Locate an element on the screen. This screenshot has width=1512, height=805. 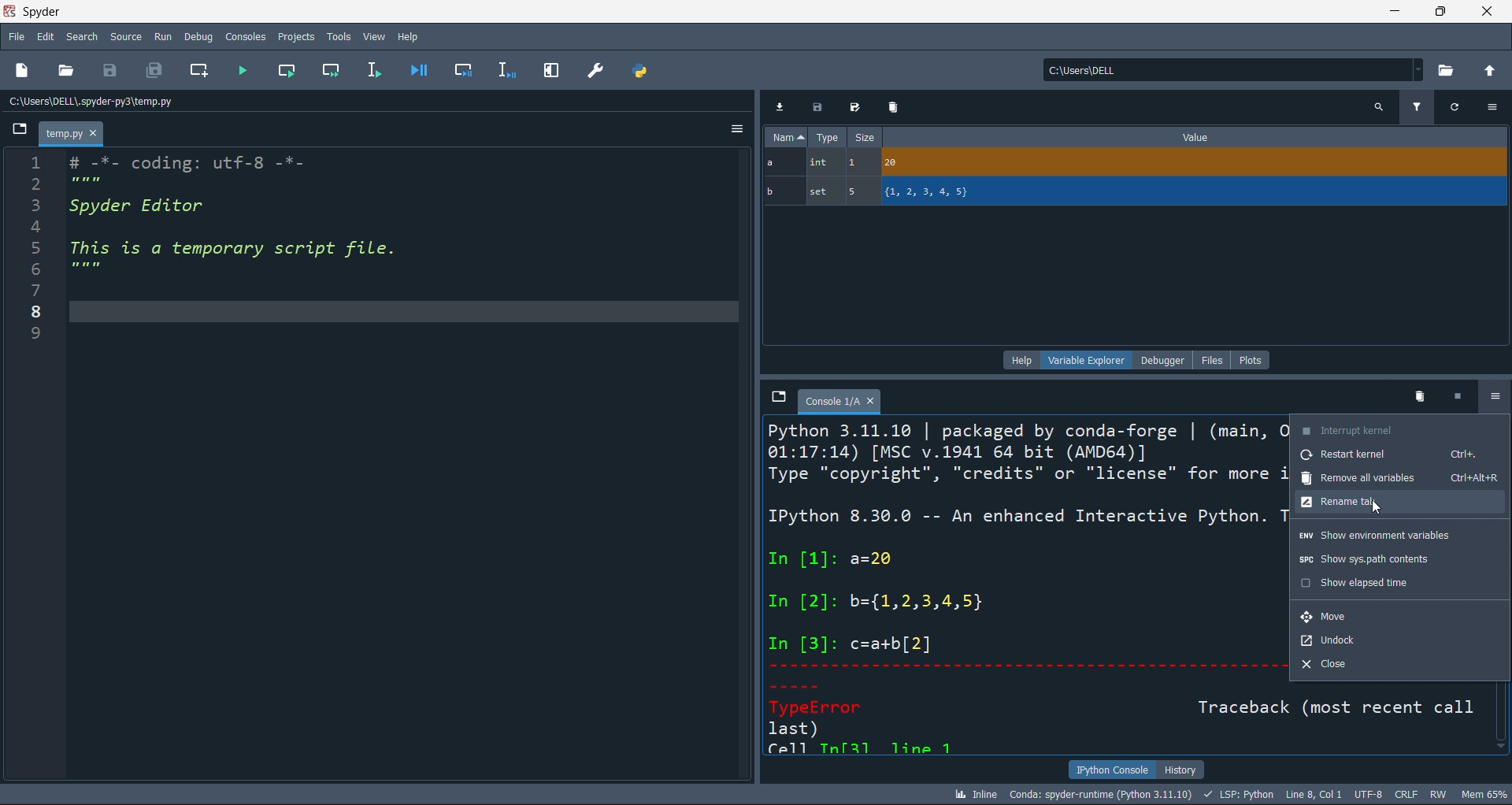
debug file is located at coordinates (418, 69).